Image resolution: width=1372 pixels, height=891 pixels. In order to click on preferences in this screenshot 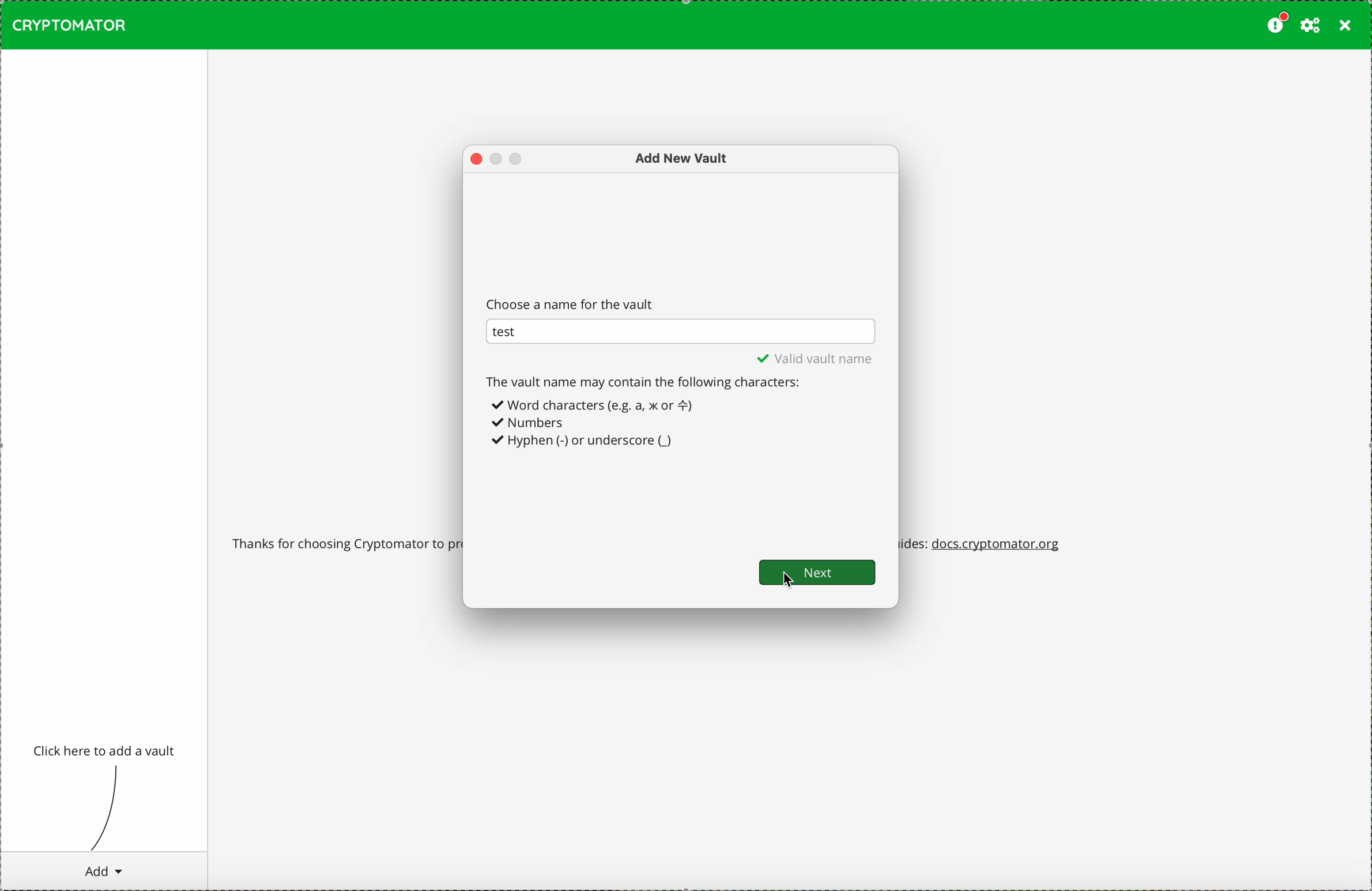, I will do `click(1310, 25)`.